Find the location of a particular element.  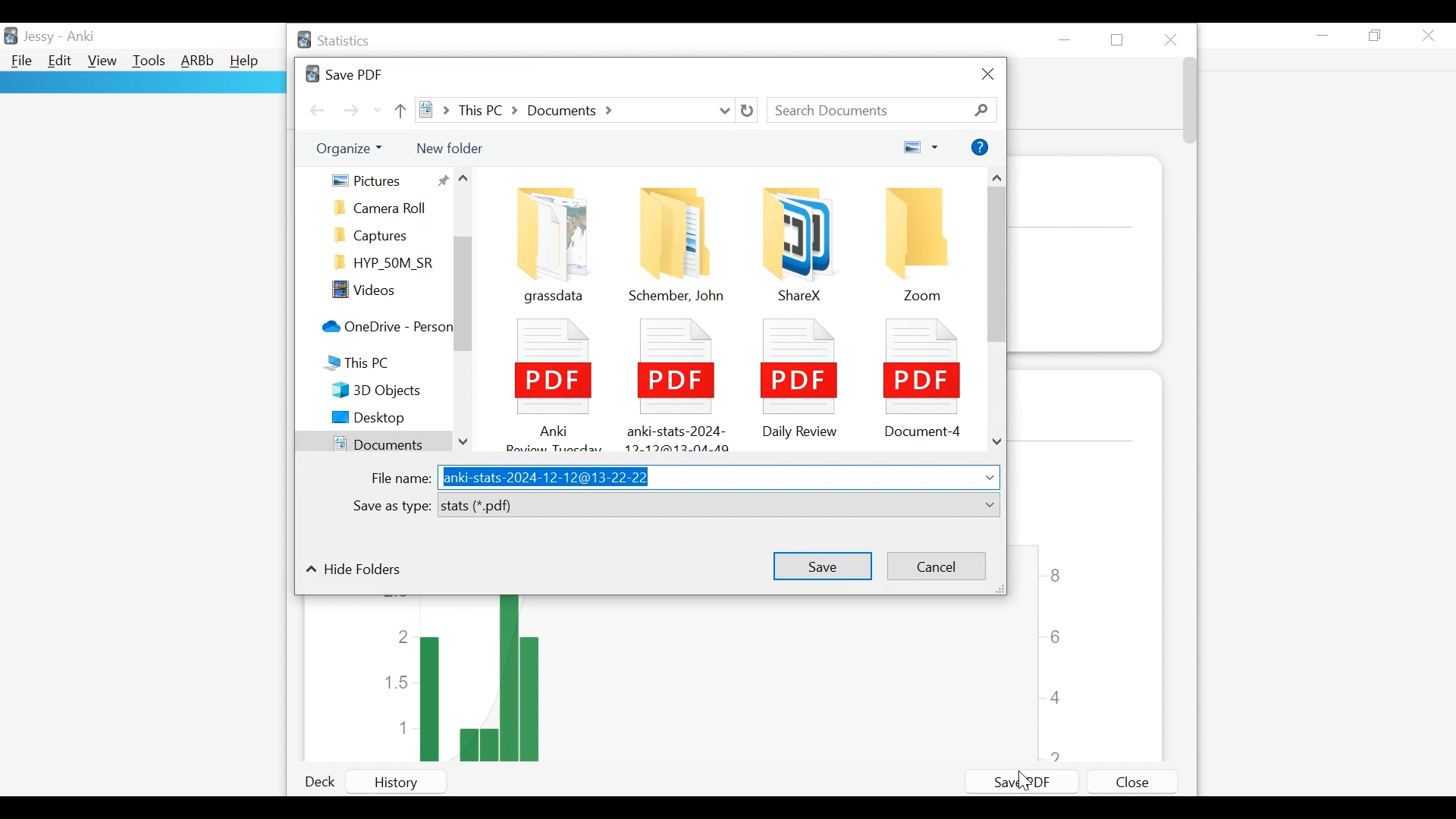

Folder is located at coordinates (677, 242).